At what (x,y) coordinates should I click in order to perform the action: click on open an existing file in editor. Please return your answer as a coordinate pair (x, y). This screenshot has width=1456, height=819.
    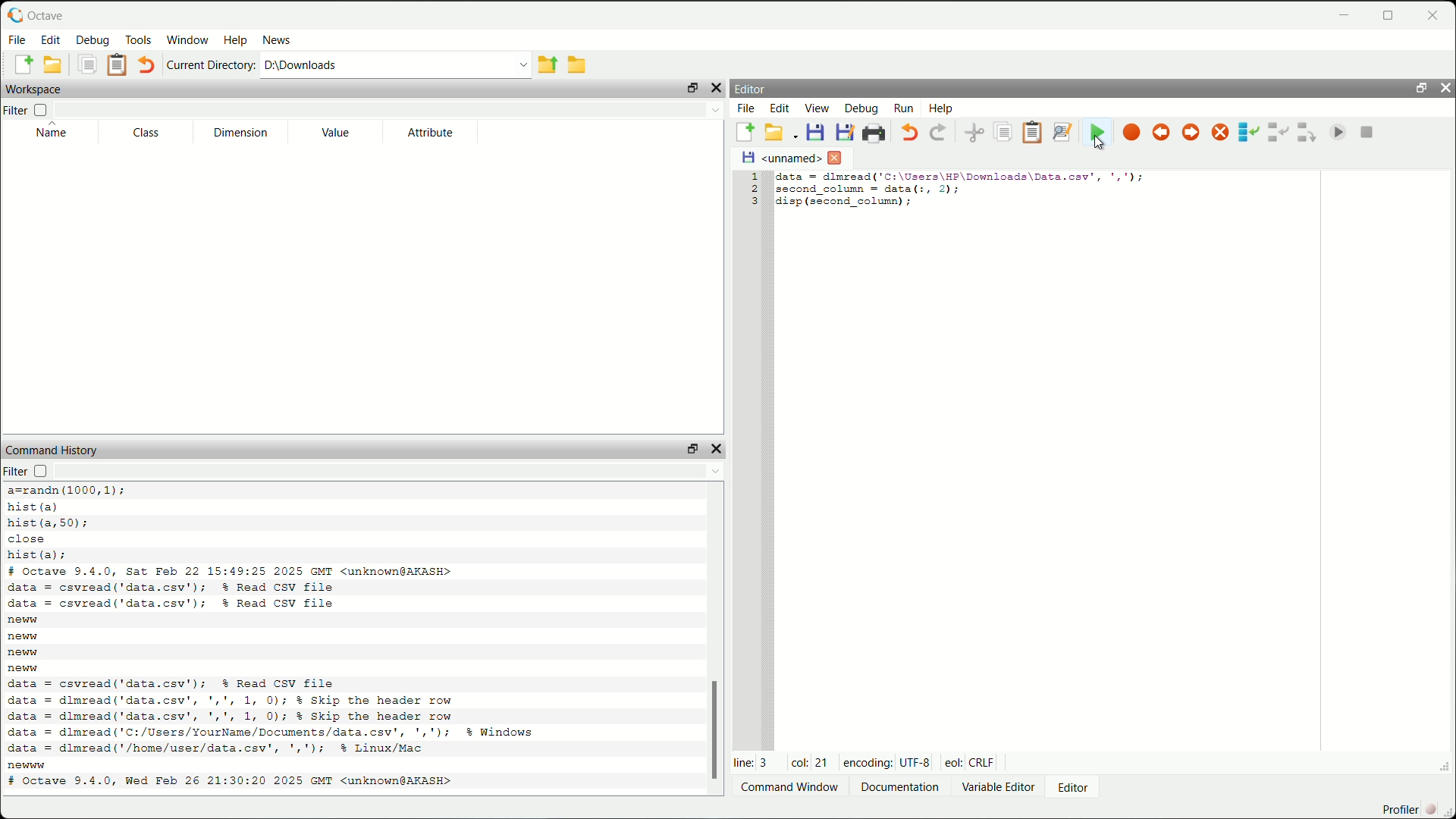
    Looking at the image, I should click on (56, 64).